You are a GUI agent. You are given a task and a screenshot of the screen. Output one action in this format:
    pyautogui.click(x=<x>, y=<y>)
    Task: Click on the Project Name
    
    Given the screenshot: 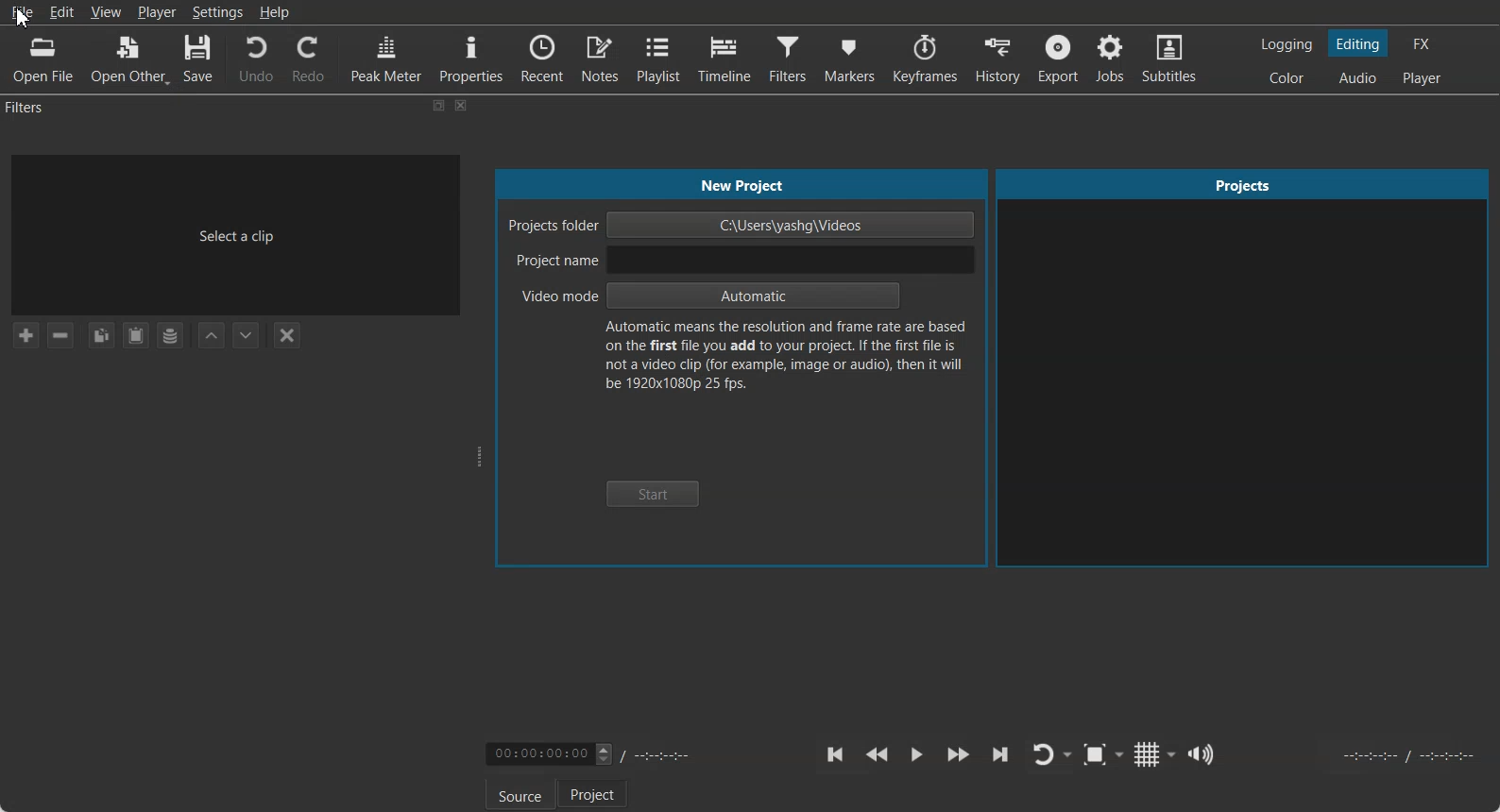 What is the action you would take?
    pyautogui.click(x=551, y=262)
    